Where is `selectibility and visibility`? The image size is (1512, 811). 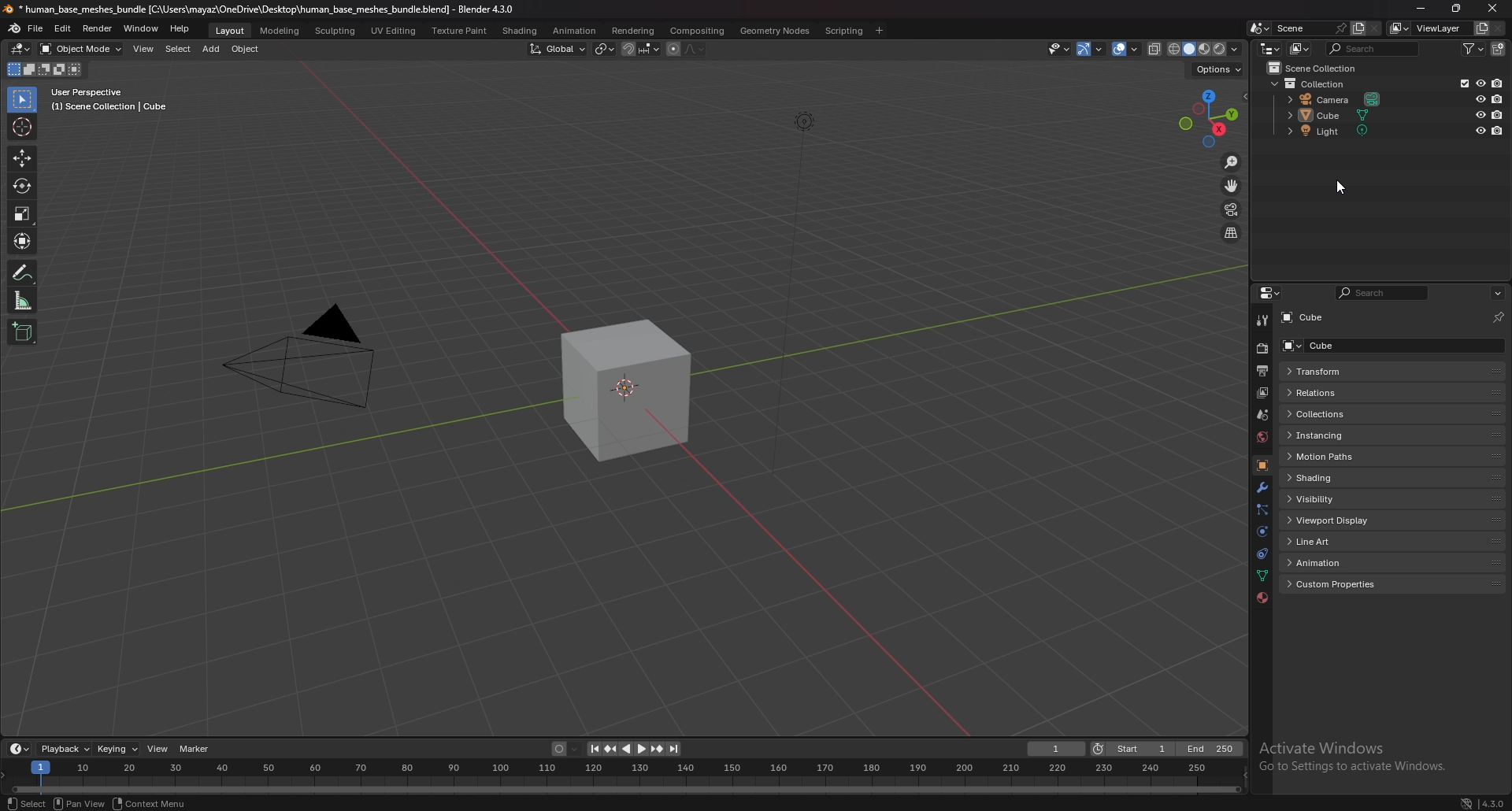
selectibility and visibility is located at coordinates (1060, 49).